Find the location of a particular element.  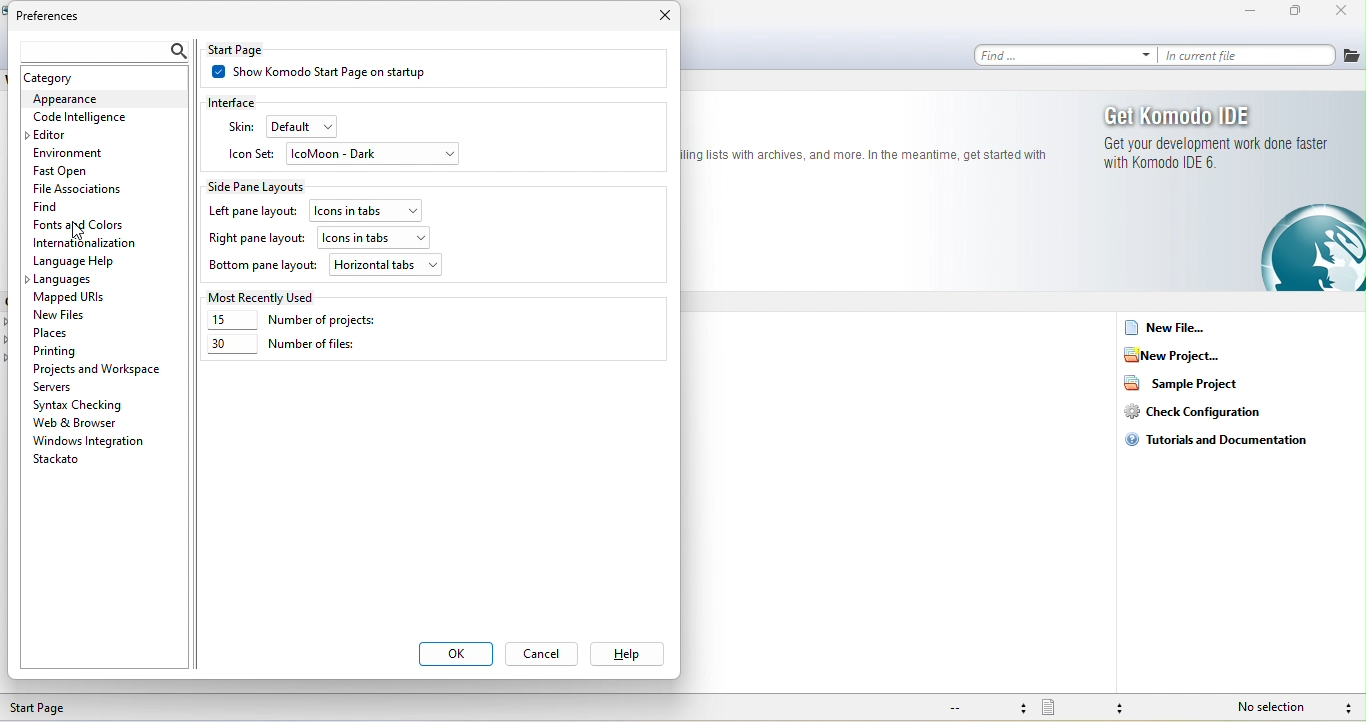

printing is located at coordinates (78, 352).